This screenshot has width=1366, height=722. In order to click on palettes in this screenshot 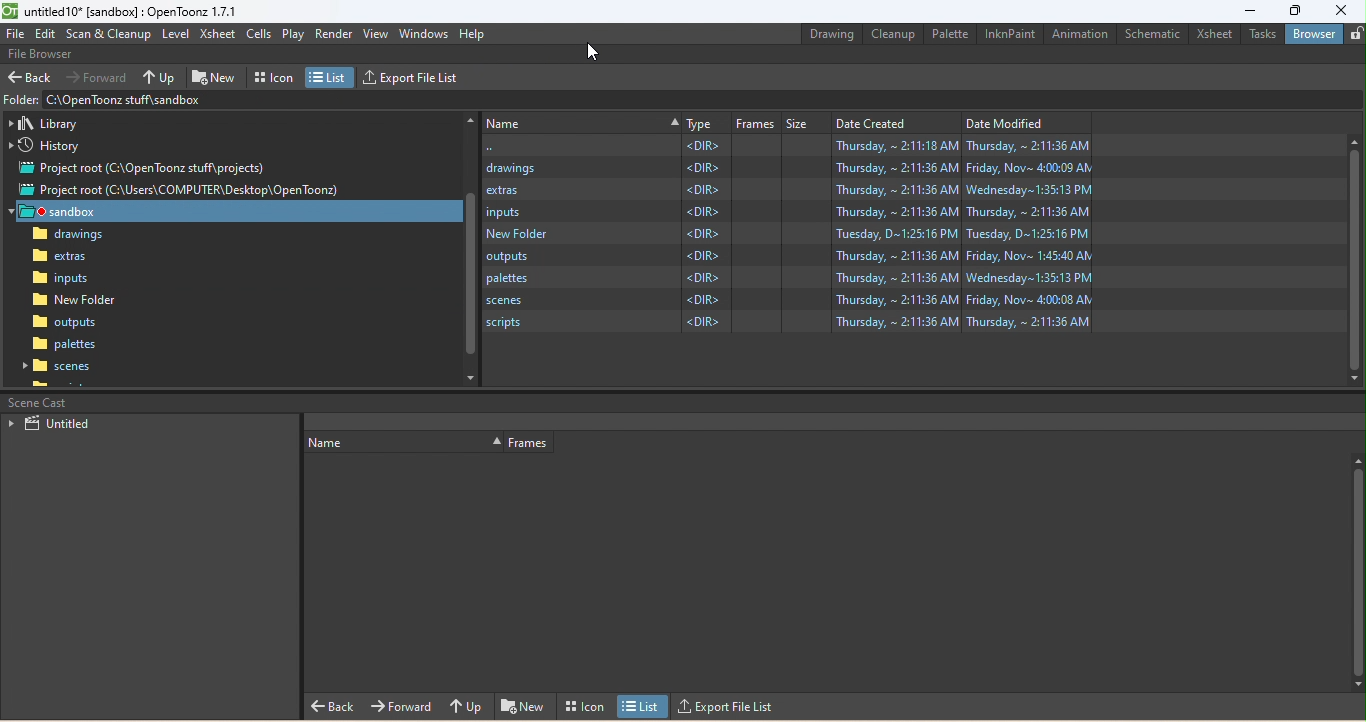, I will do `click(64, 322)`.